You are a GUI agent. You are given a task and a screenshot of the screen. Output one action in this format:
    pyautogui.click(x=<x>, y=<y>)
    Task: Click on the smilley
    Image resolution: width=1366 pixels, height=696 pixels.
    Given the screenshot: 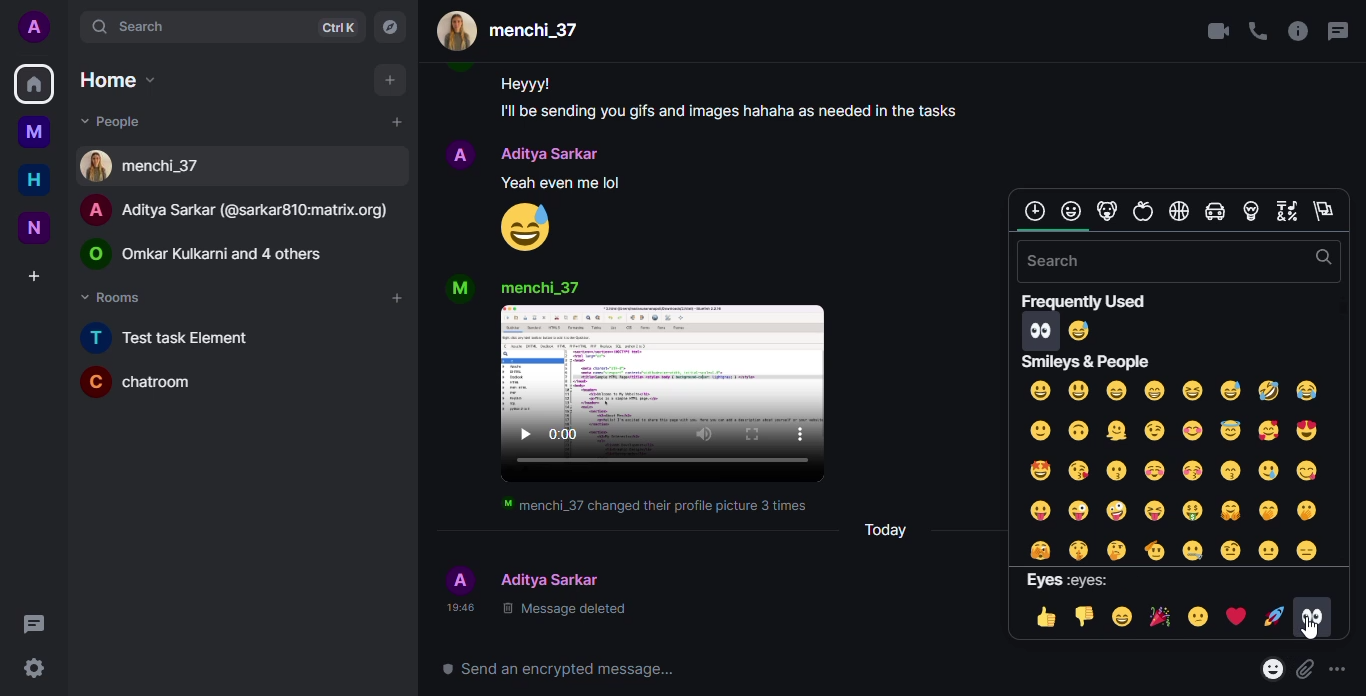 What is the action you would take?
    pyautogui.click(x=1071, y=210)
    